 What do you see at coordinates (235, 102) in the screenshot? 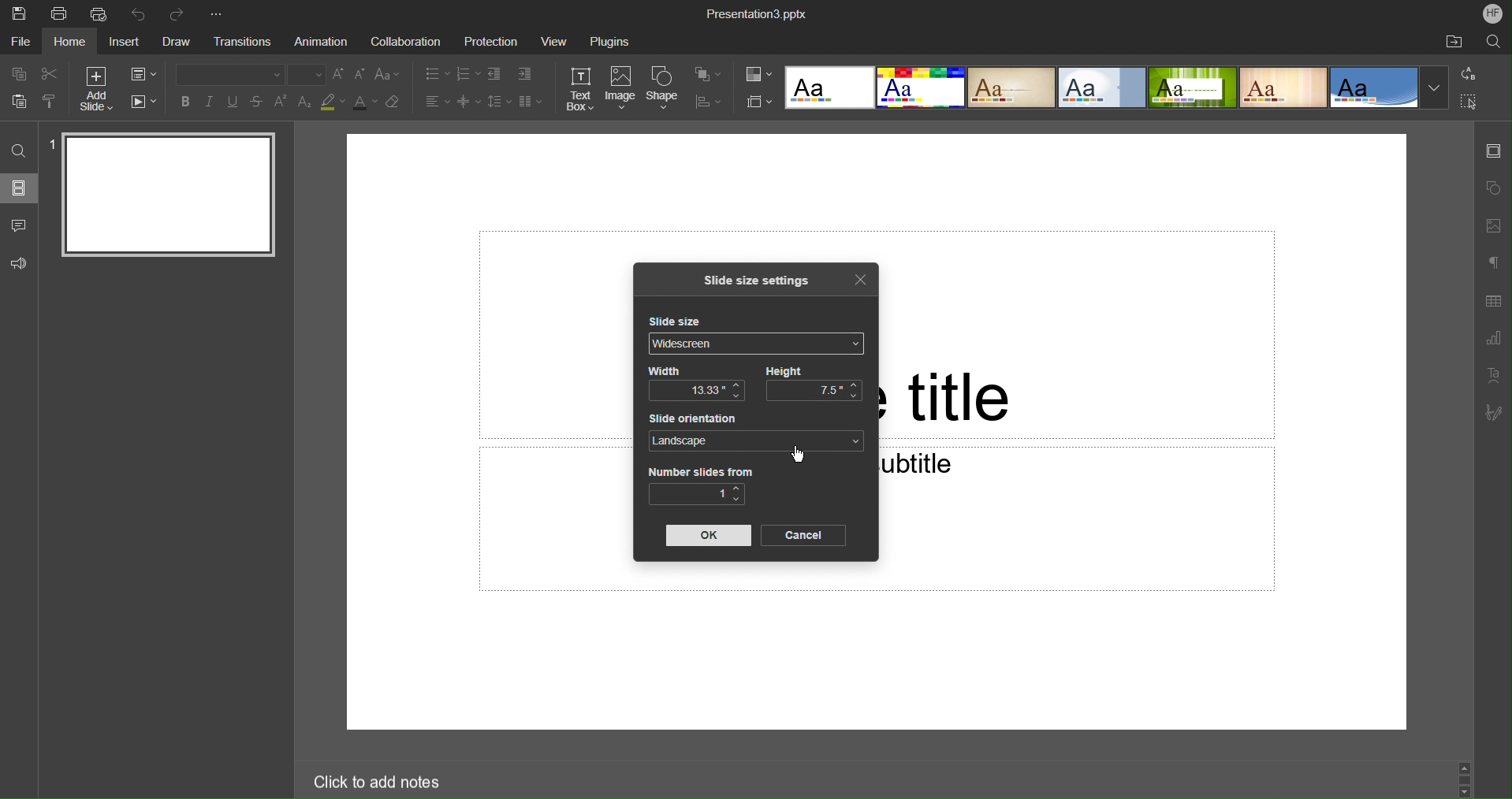
I see `Underline` at bounding box center [235, 102].